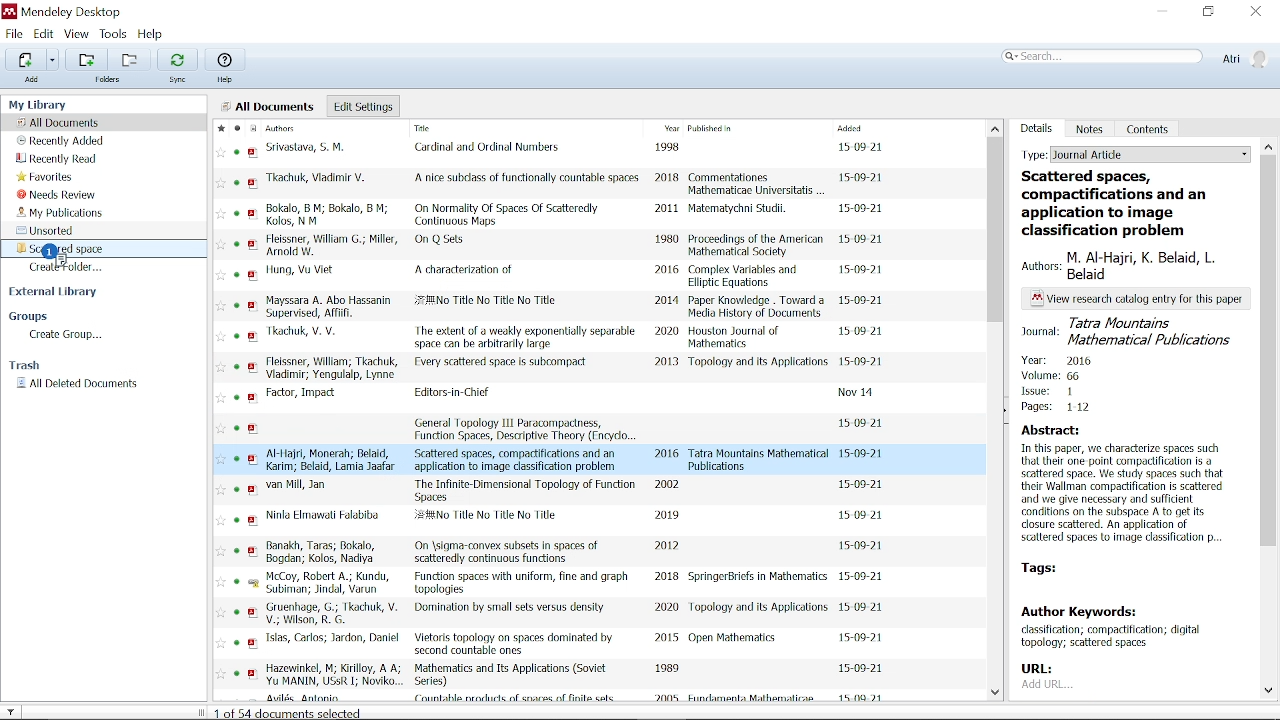 Image resolution: width=1280 pixels, height=720 pixels. What do you see at coordinates (524, 336) in the screenshot?
I see `title` at bounding box center [524, 336].